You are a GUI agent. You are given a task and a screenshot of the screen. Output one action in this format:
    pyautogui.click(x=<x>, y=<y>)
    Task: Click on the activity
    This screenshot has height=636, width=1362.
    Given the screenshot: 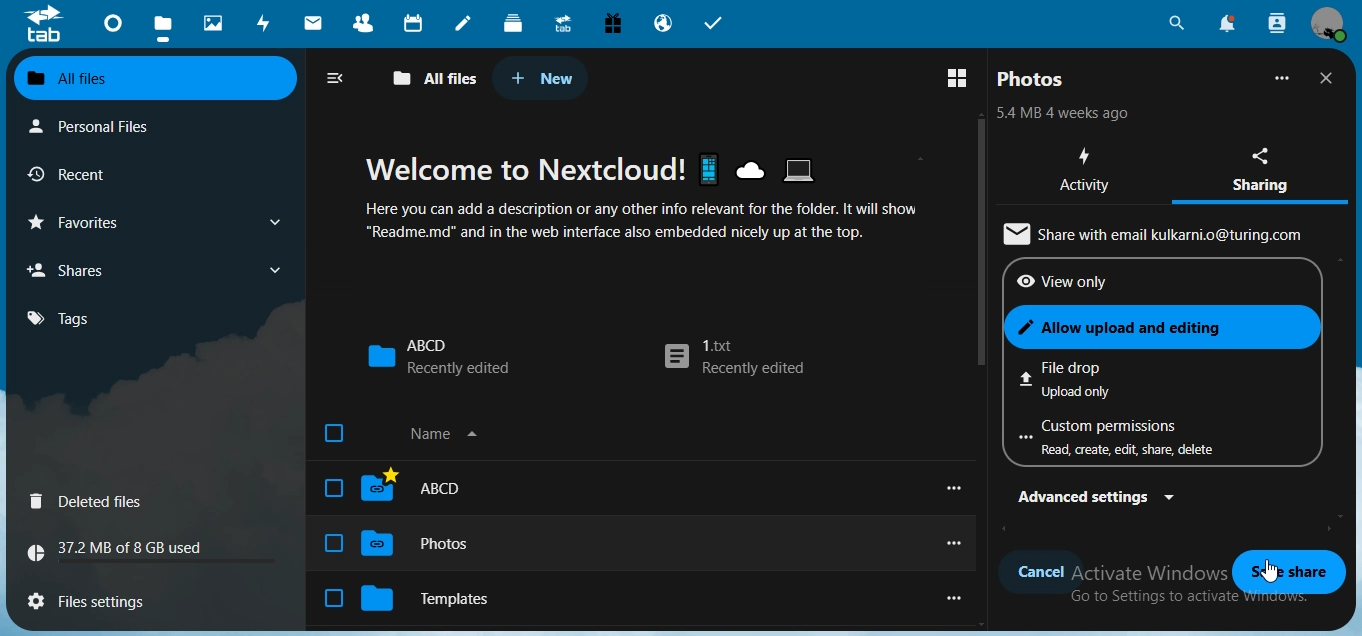 What is the action you would take?
    pyautogui.click(x=1088, y=172)
    